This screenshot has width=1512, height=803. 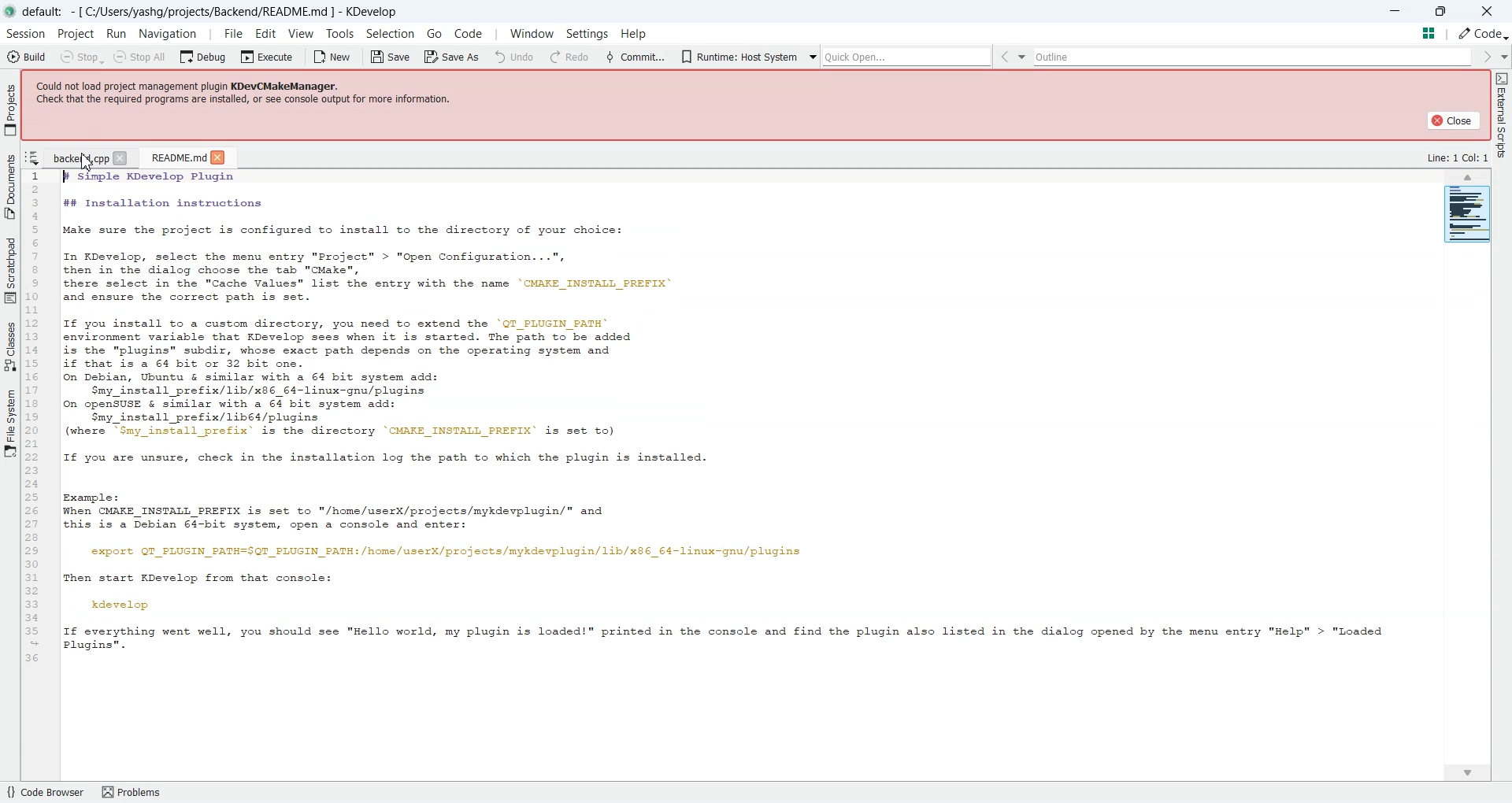 What do you see at coordinates (11, 109) in the screenshot?
I see `Projects` at bounding box center [11, 109].